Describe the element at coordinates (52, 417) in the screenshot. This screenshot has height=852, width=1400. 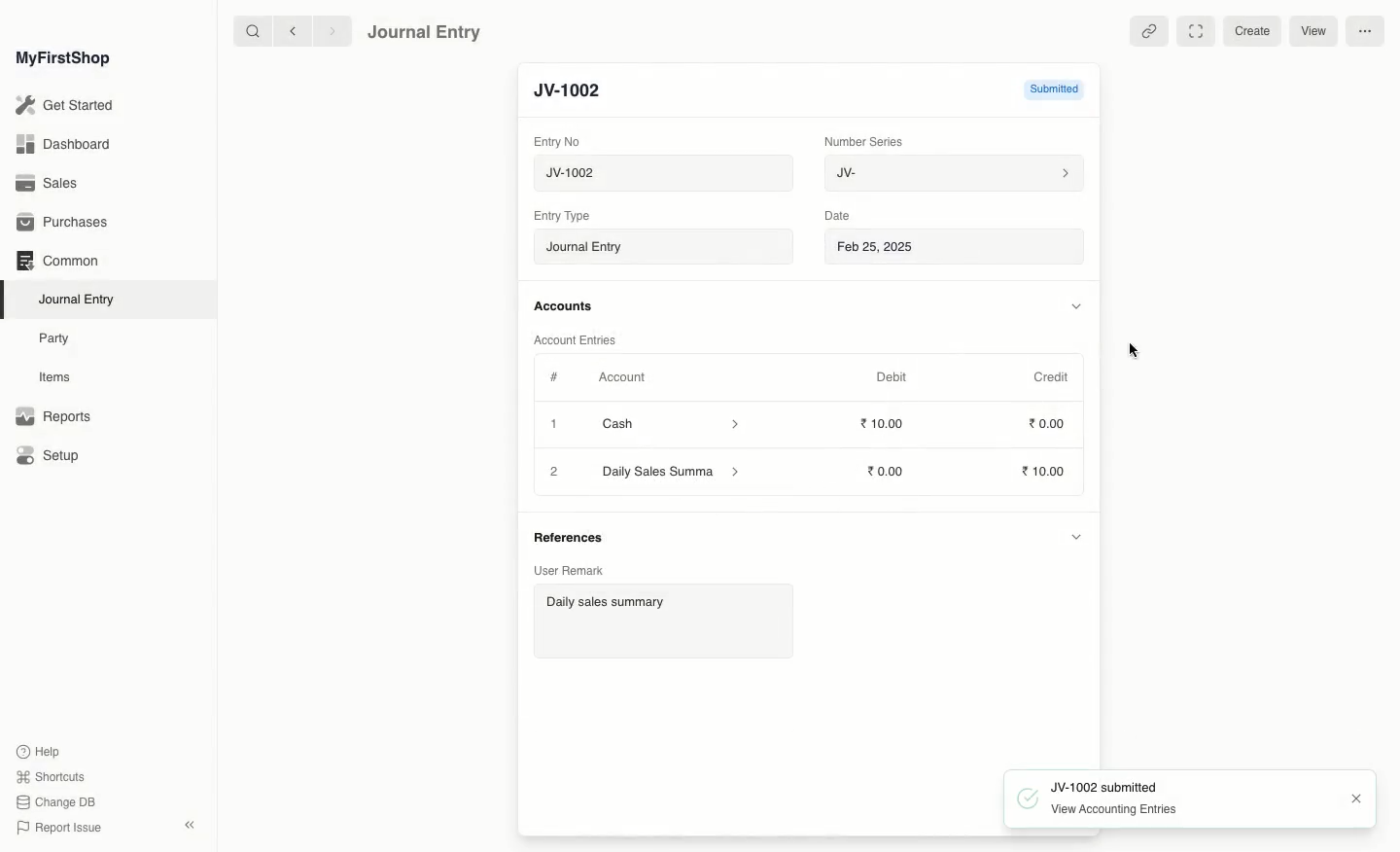
I see `Reports` at that location.